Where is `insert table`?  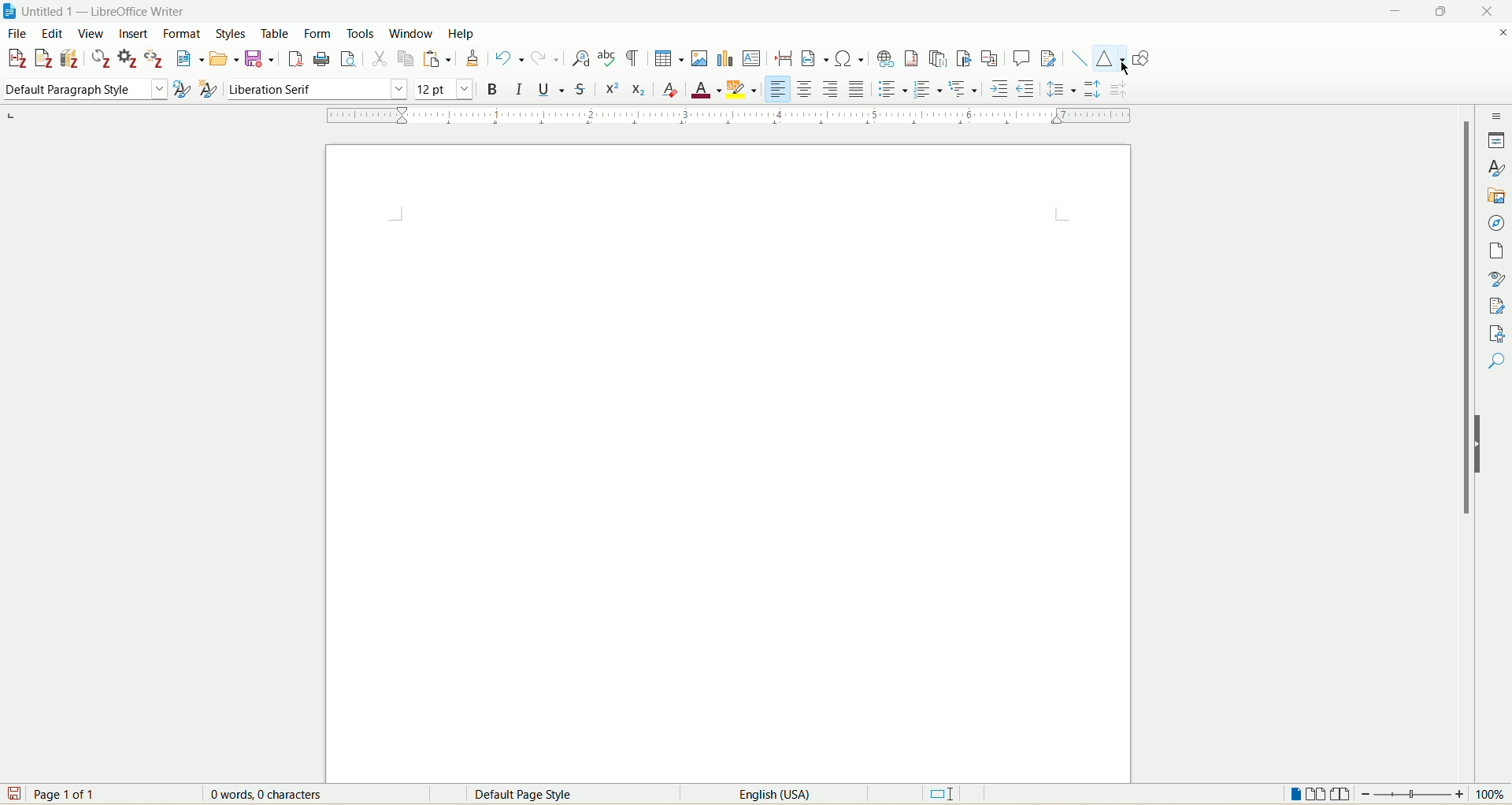
insert table is located at coordinates (669, 57).